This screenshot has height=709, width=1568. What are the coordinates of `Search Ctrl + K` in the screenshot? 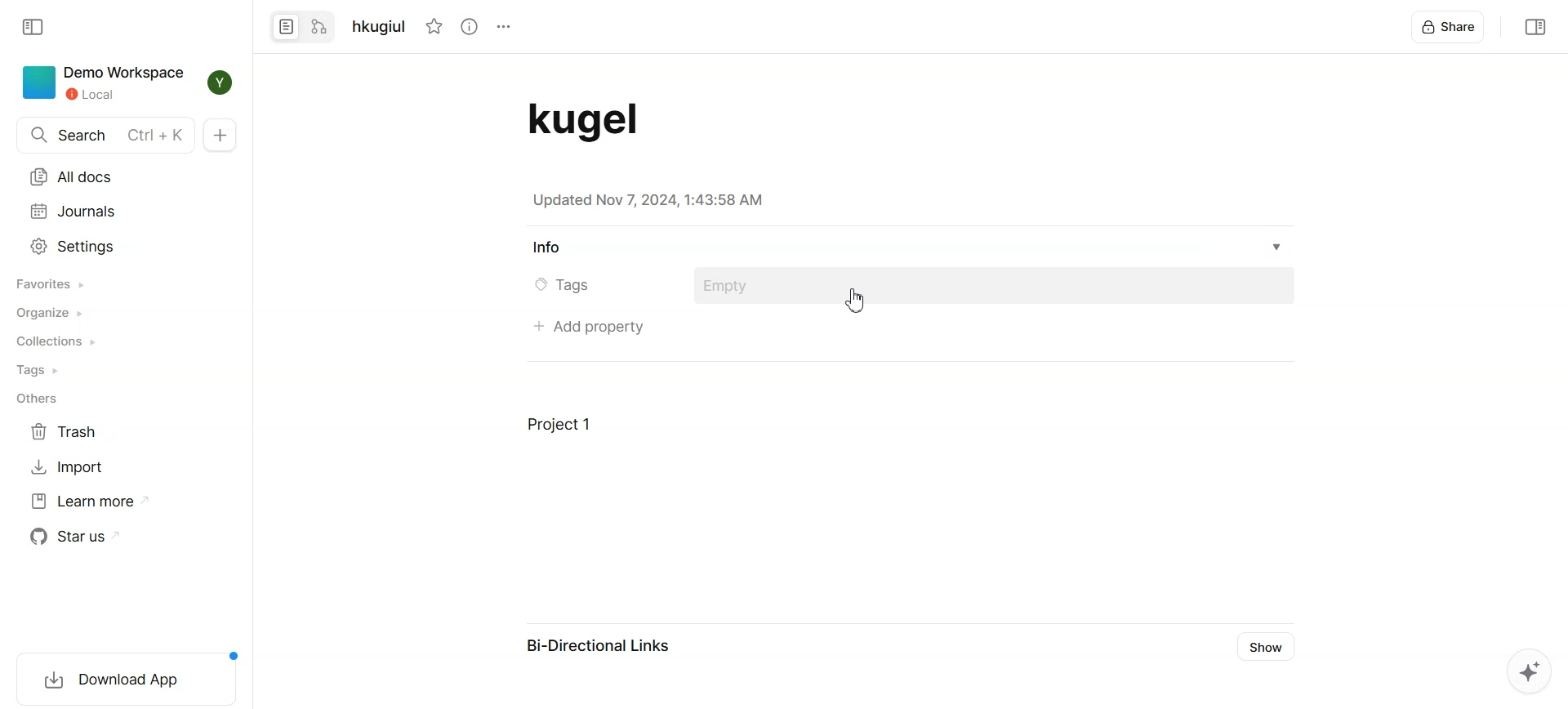 It's located at (105, 135).